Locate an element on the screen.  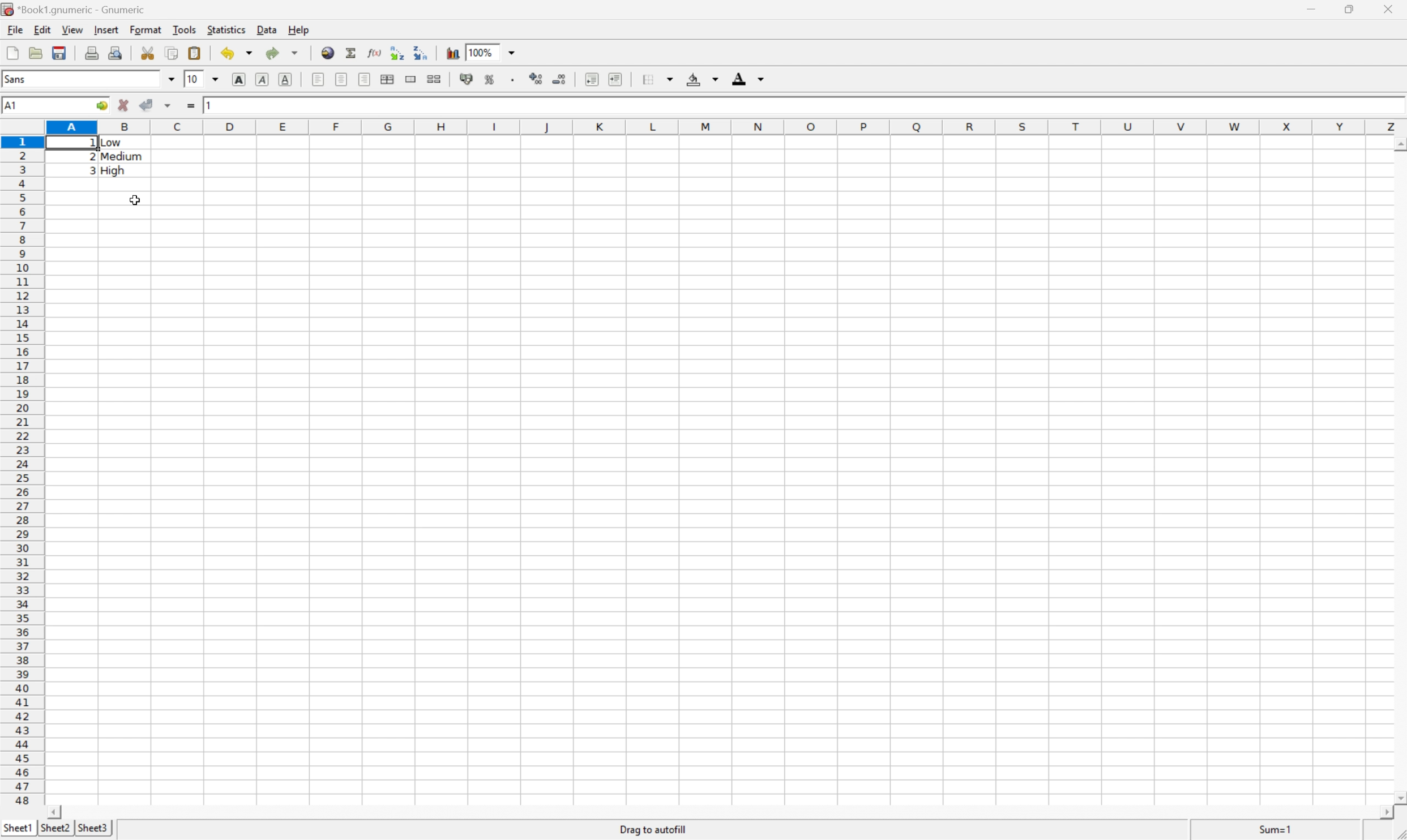
Decrease indent, and align the contents to the left is located at coordinates (592, 79).